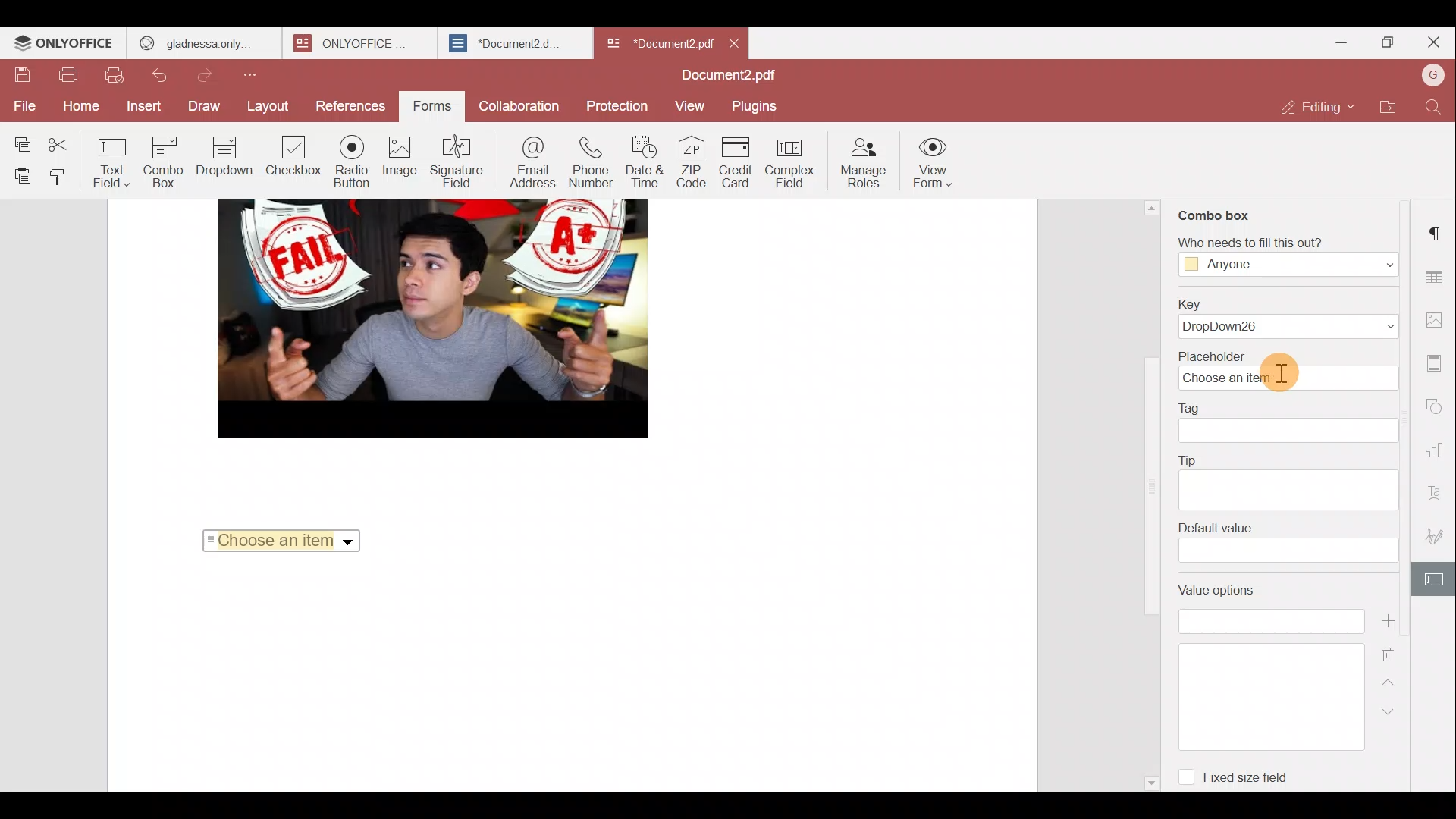  What do you see at coordinates (206, 107) in the screenshot?
I see `Draw` at bounding box center [206, 107].